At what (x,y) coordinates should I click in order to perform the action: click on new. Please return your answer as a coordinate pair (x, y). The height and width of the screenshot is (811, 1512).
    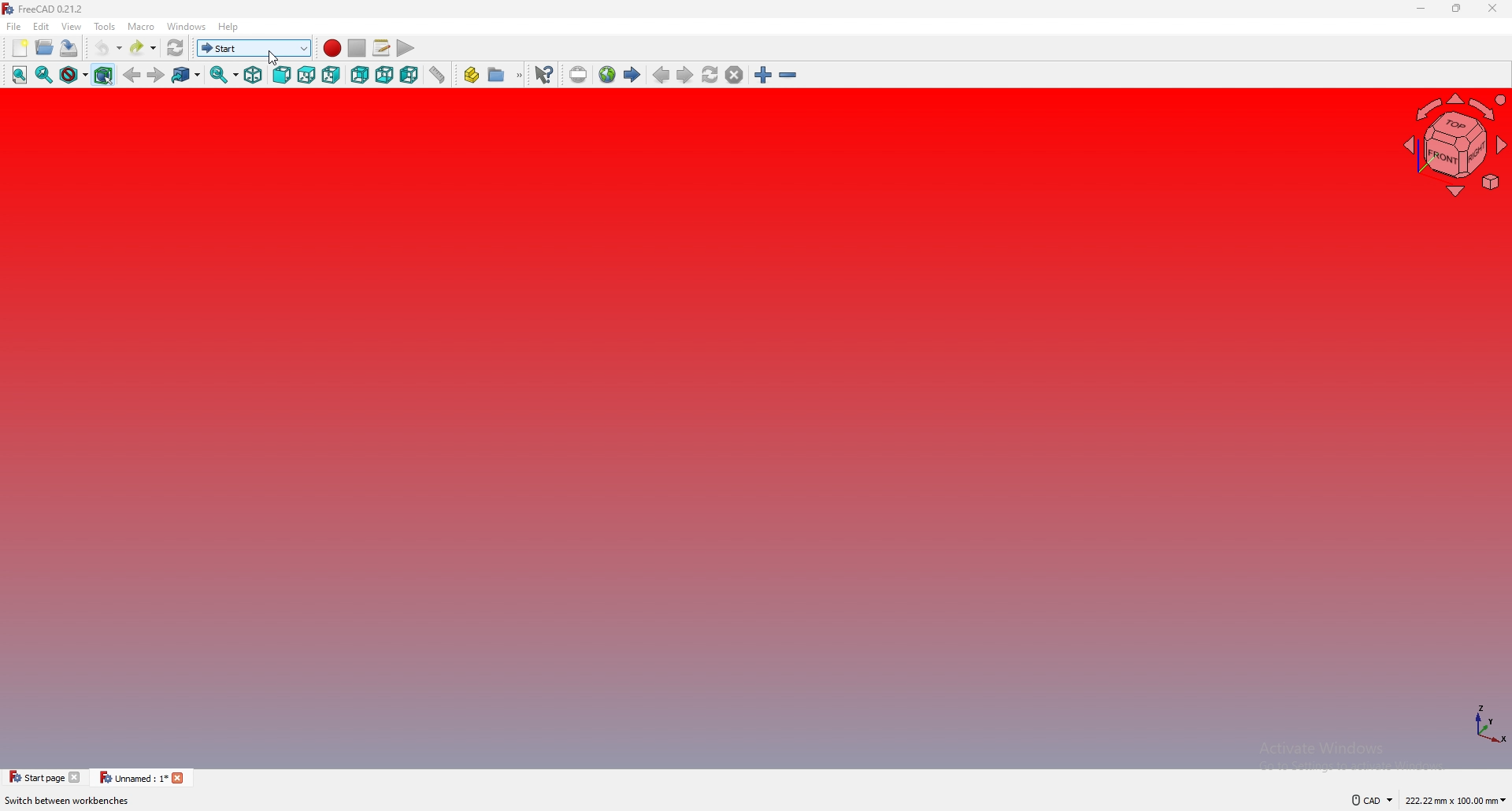
    Looking at the image, I should click on (20, 47).